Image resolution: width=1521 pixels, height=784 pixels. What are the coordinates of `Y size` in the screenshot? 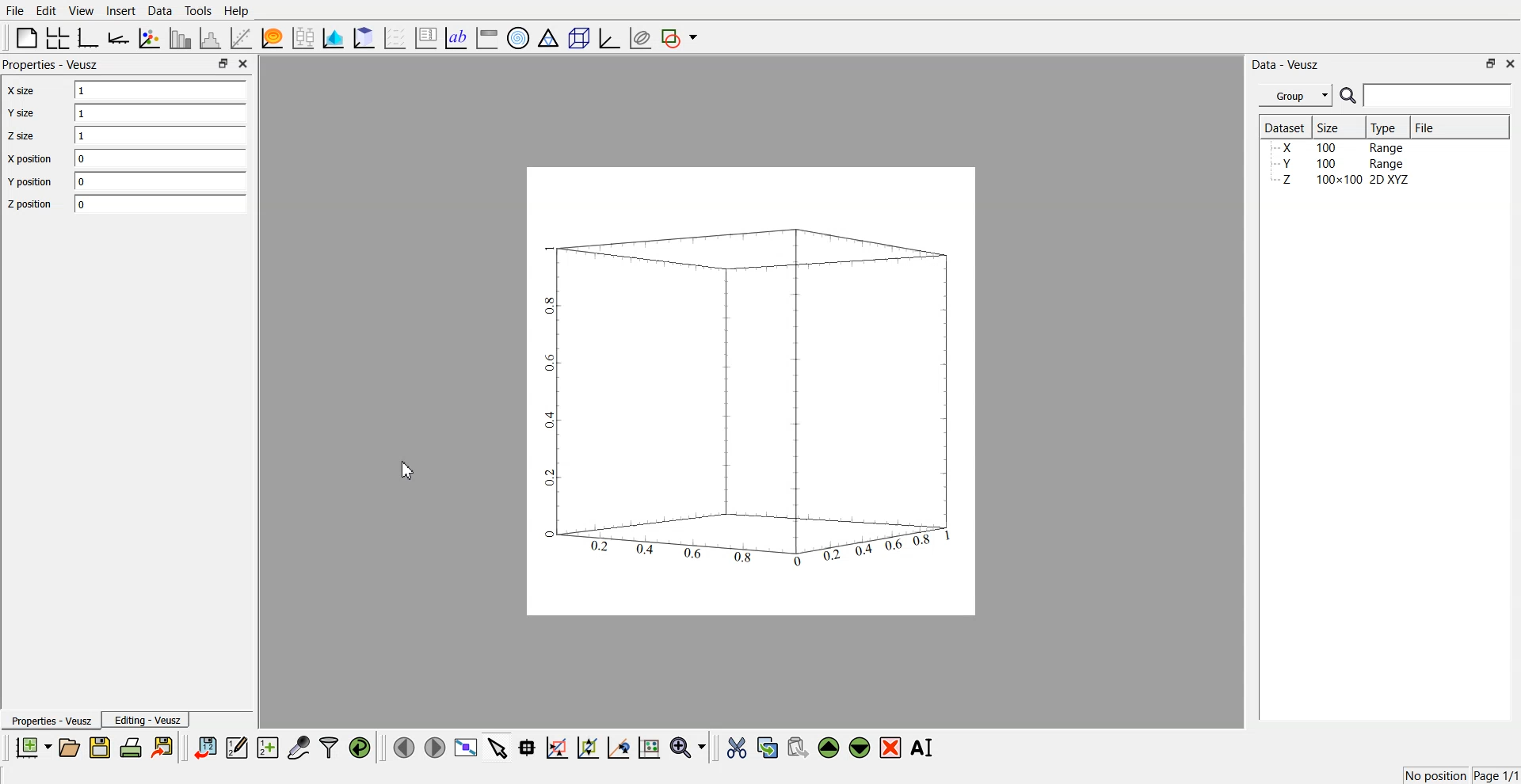 It's located at (21, 112).